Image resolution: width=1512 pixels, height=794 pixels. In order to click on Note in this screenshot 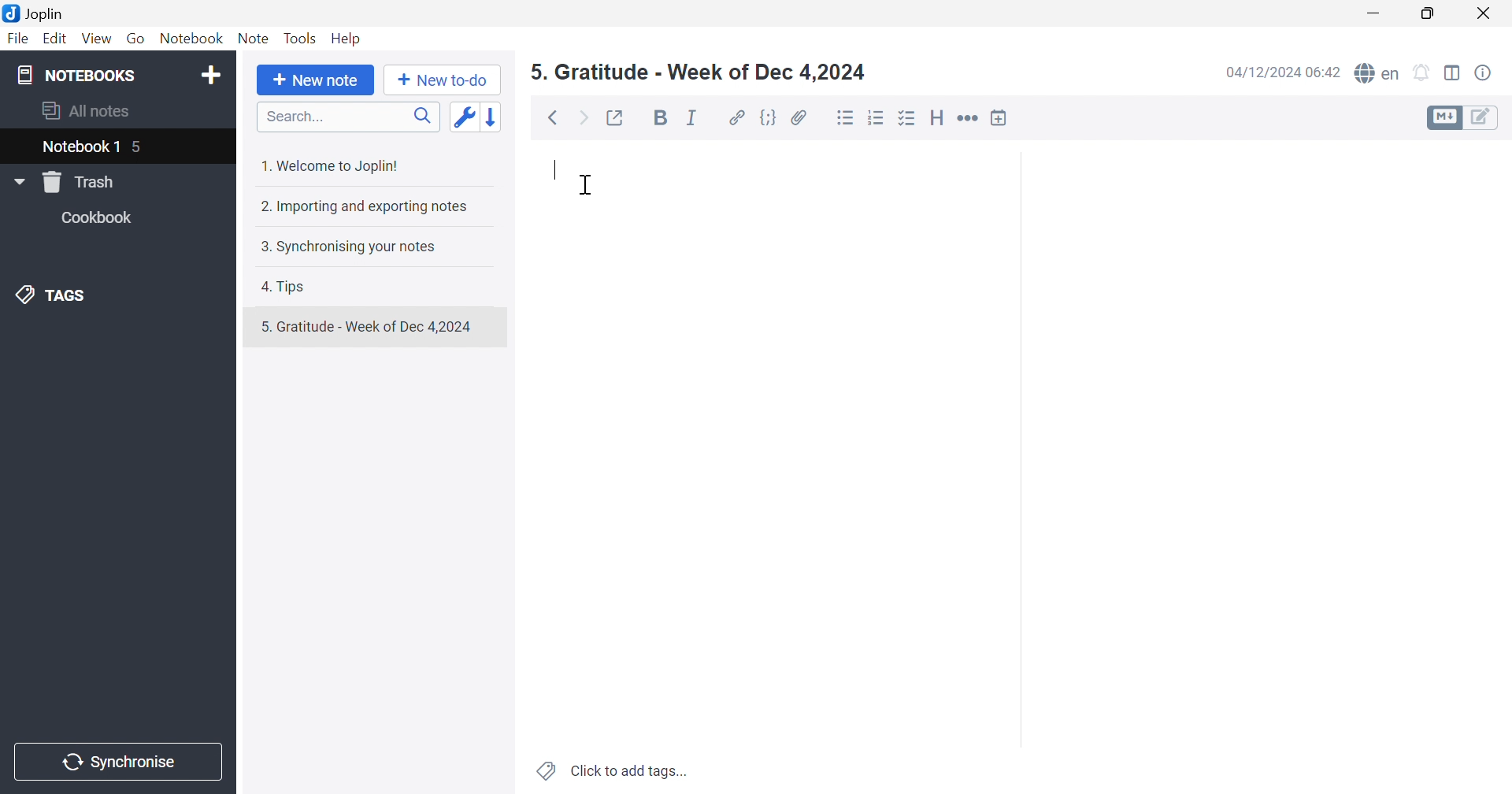, I will do `click(253, 37)`.